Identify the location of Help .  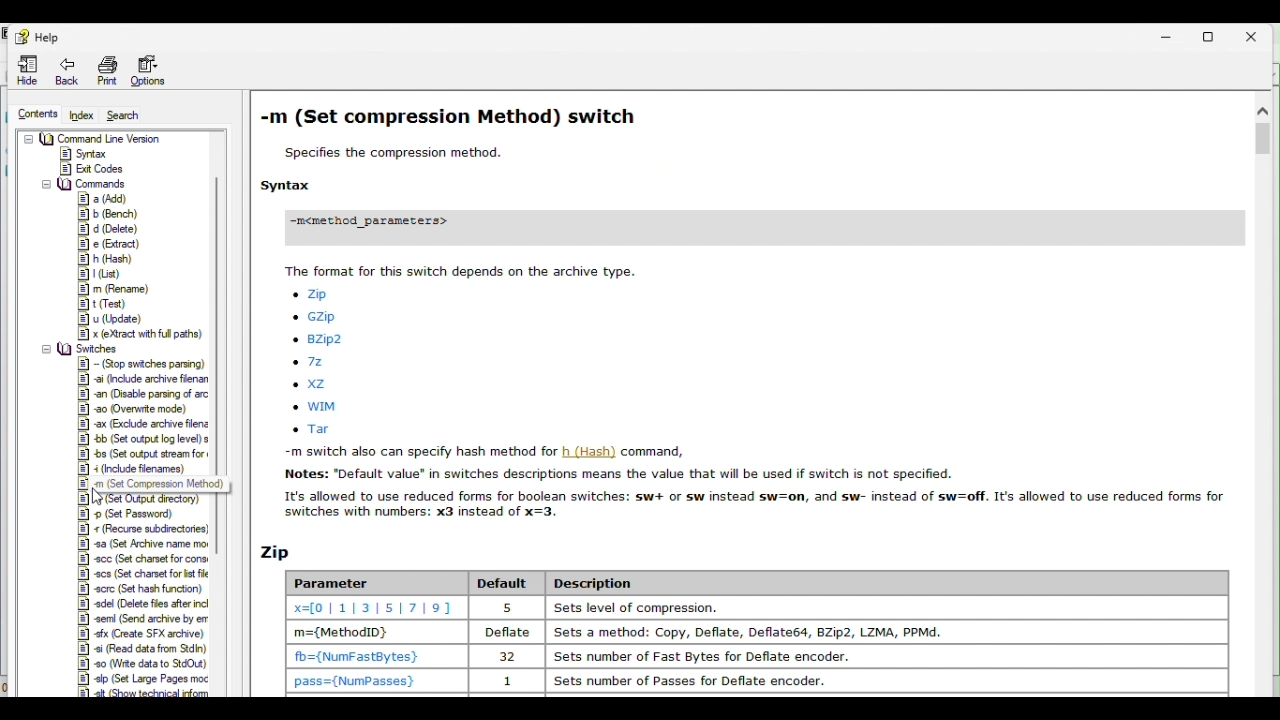
(43, 35).